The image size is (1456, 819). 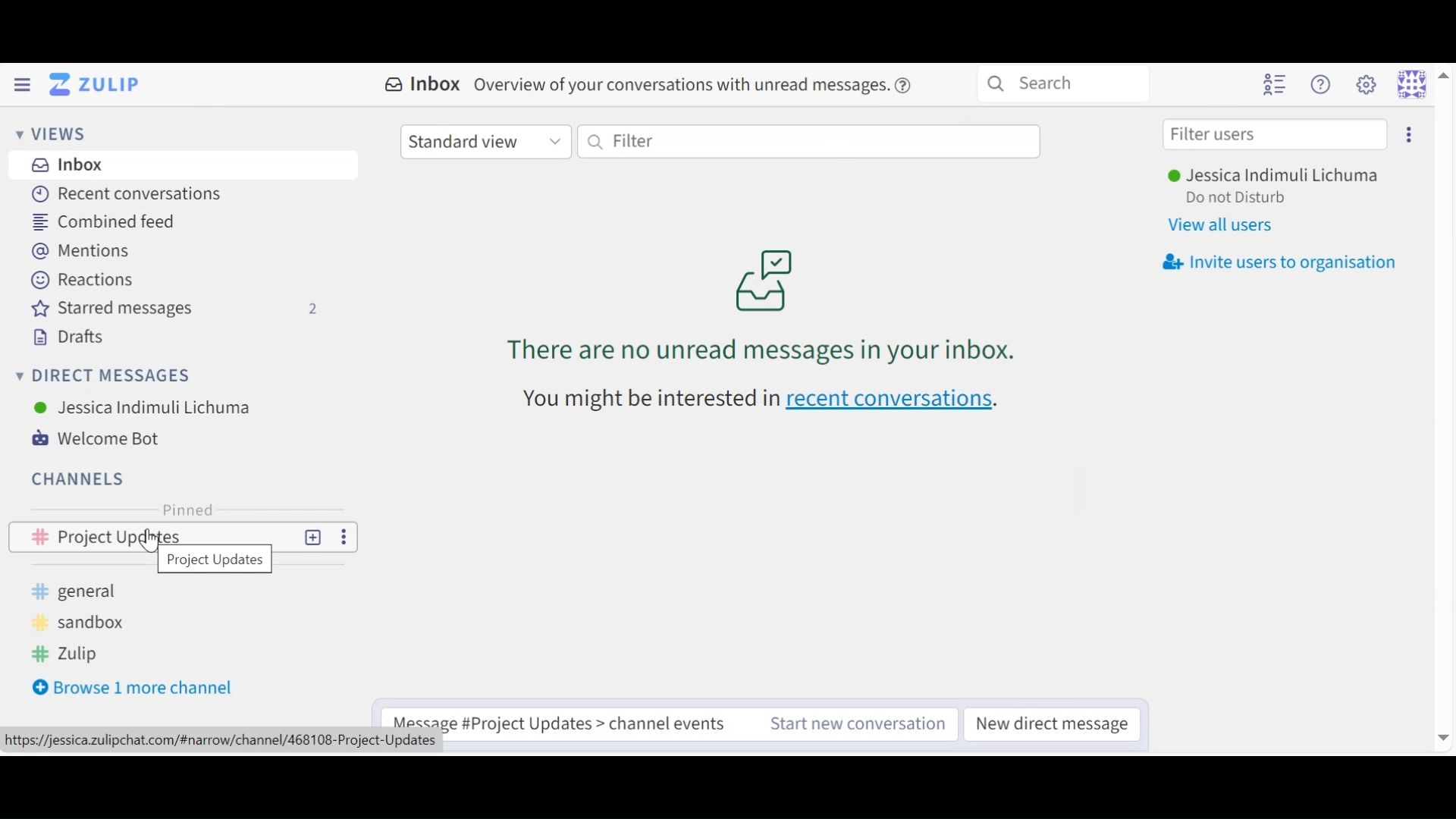 I want to click on general, so click(x=74, y=592).